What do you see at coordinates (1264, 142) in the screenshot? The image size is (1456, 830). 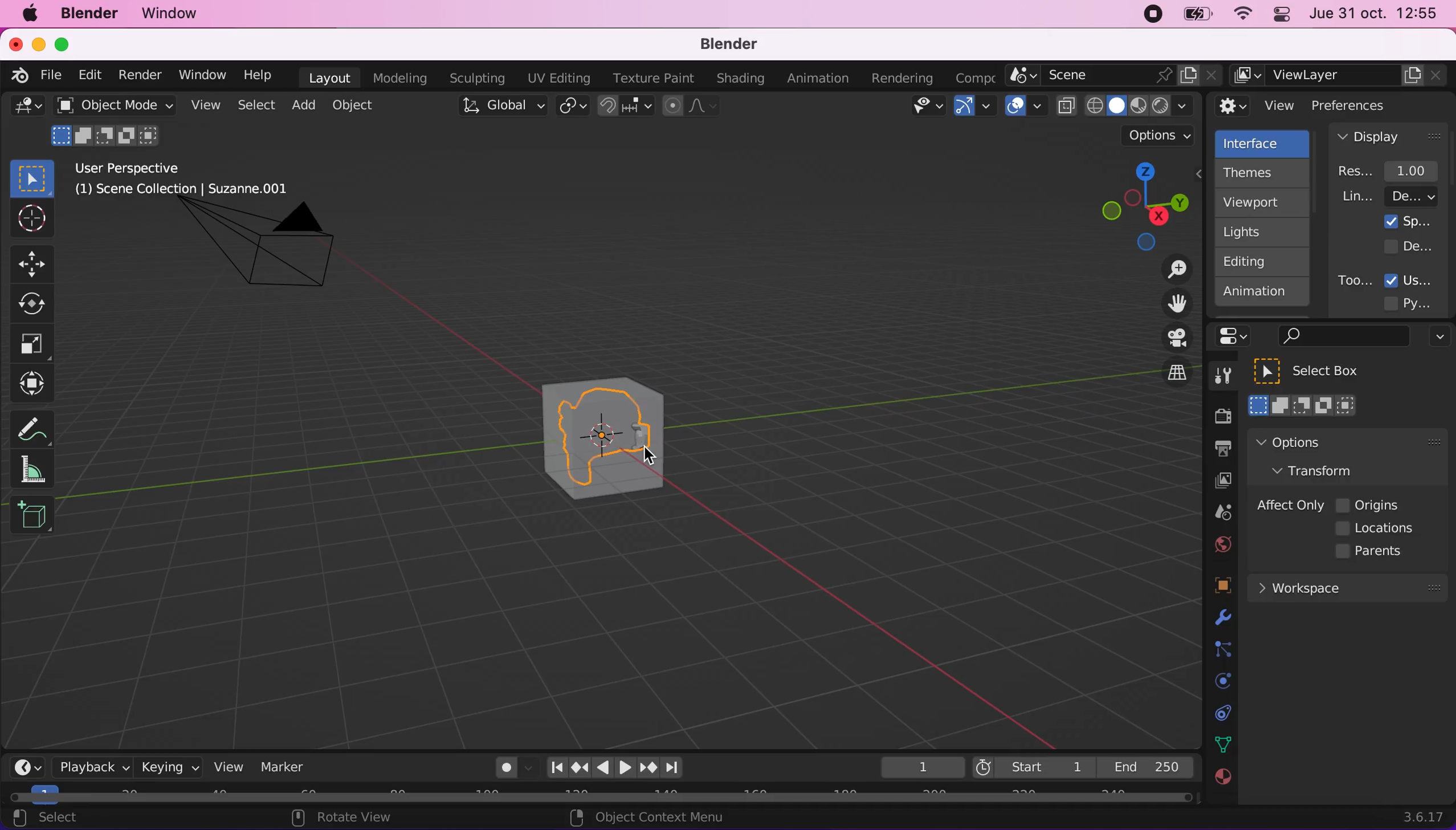 I see `interface` at bounding box center [1264, 142].